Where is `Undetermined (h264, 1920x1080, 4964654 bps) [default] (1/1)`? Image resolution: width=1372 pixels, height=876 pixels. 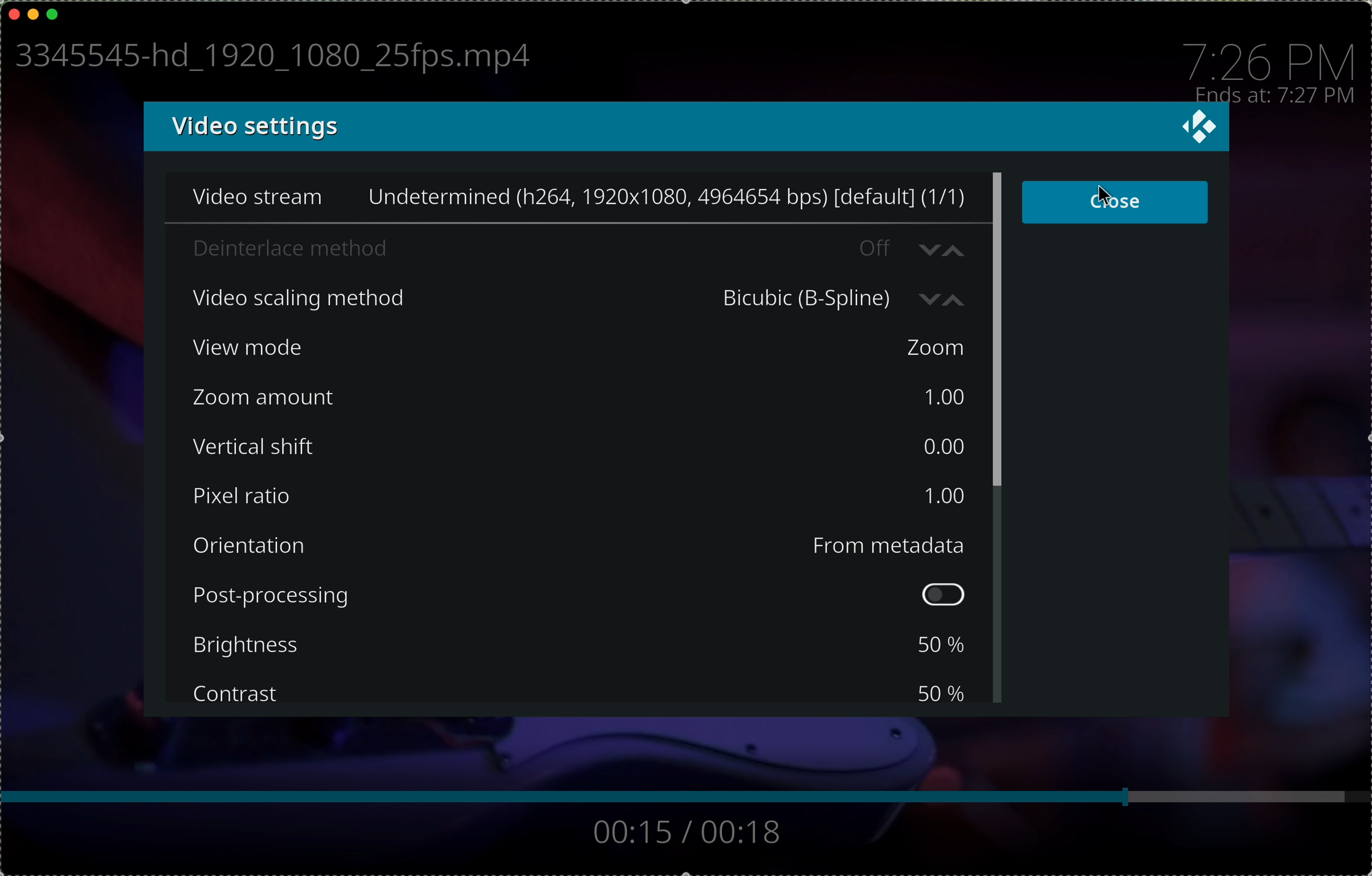 Undetermined (h264, 1920x1080, 4964654 bps) [default] (1/1) is located at coordinates (667, 197).